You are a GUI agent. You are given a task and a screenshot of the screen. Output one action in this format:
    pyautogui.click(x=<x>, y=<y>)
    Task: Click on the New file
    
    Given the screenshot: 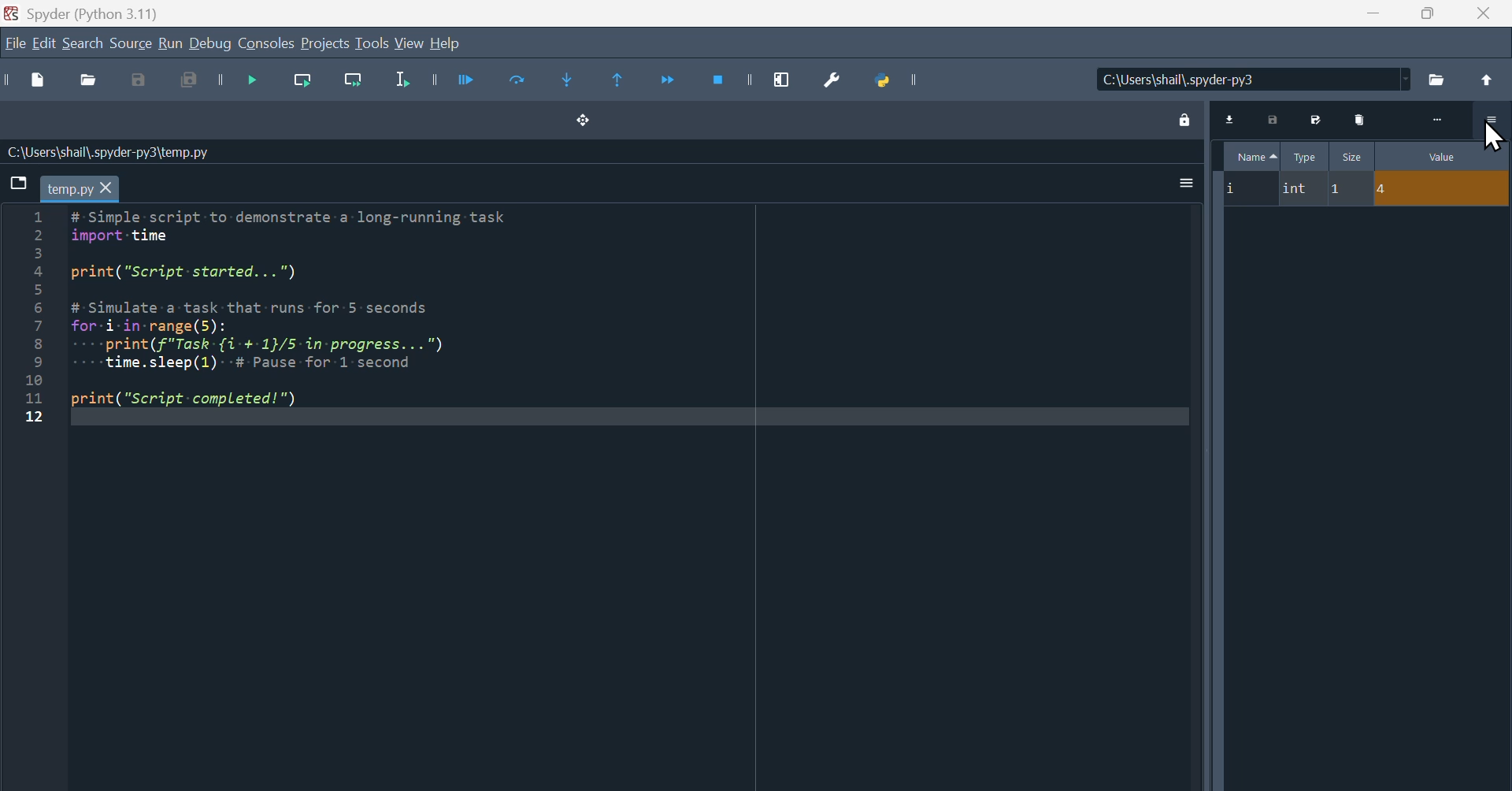 What is the action you would take?
    pyautogui.click(x=37, y=80)
    